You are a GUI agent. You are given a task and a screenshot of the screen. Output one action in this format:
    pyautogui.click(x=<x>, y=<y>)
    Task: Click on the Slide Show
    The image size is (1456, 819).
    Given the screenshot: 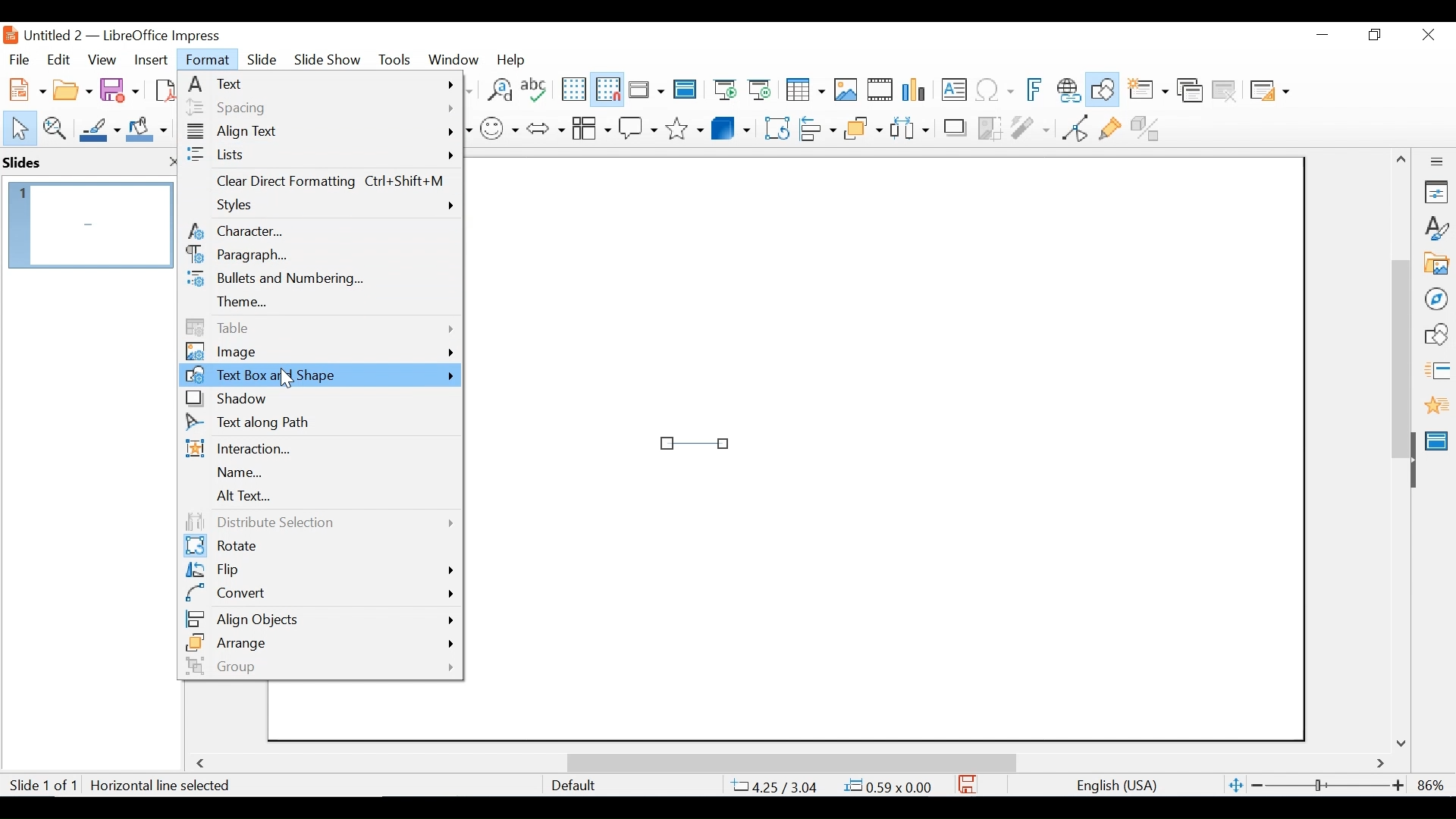 What is the action you would take?
    pyautogui.click(x=328, y=58)
    